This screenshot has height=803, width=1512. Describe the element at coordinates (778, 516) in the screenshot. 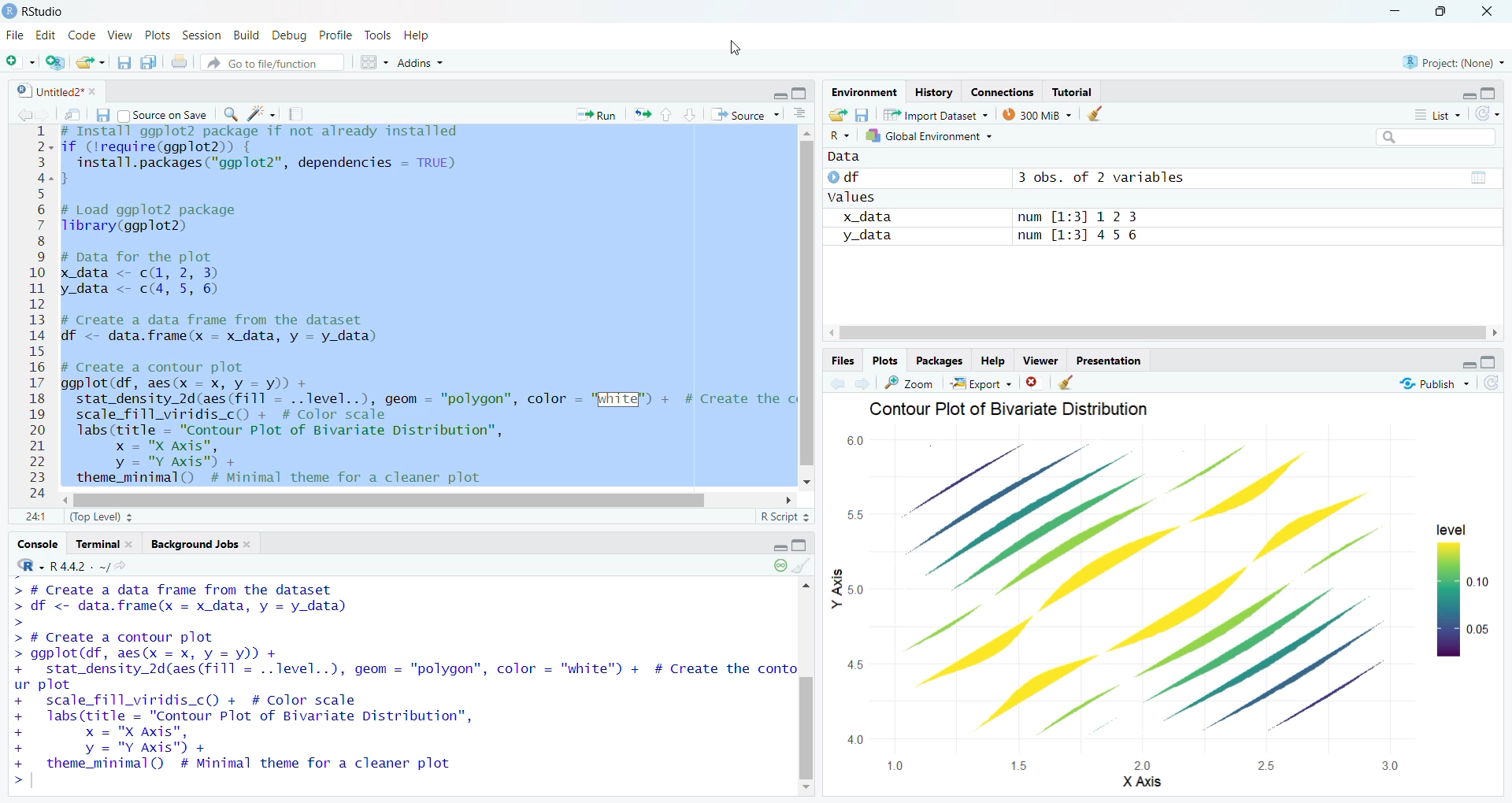

I see `R Script ` at that location.